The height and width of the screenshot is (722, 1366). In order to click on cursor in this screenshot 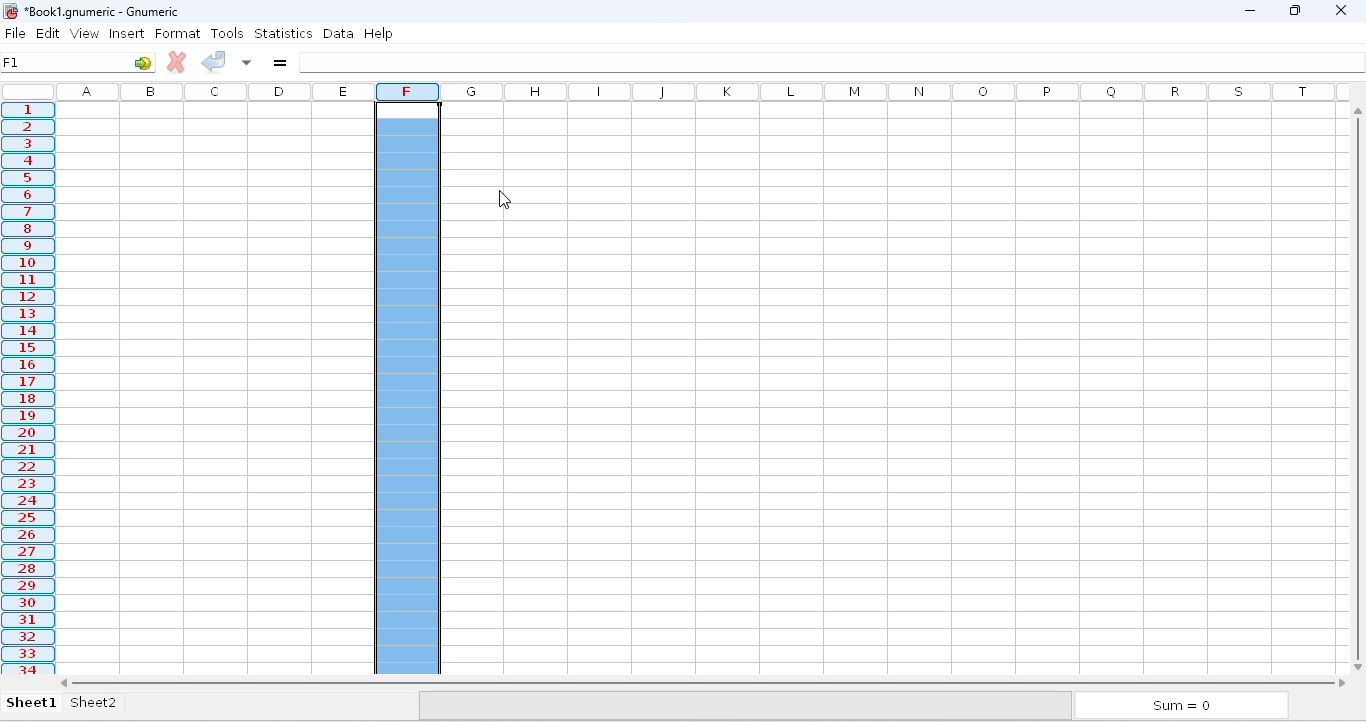, I will do `click(502, 199)`.